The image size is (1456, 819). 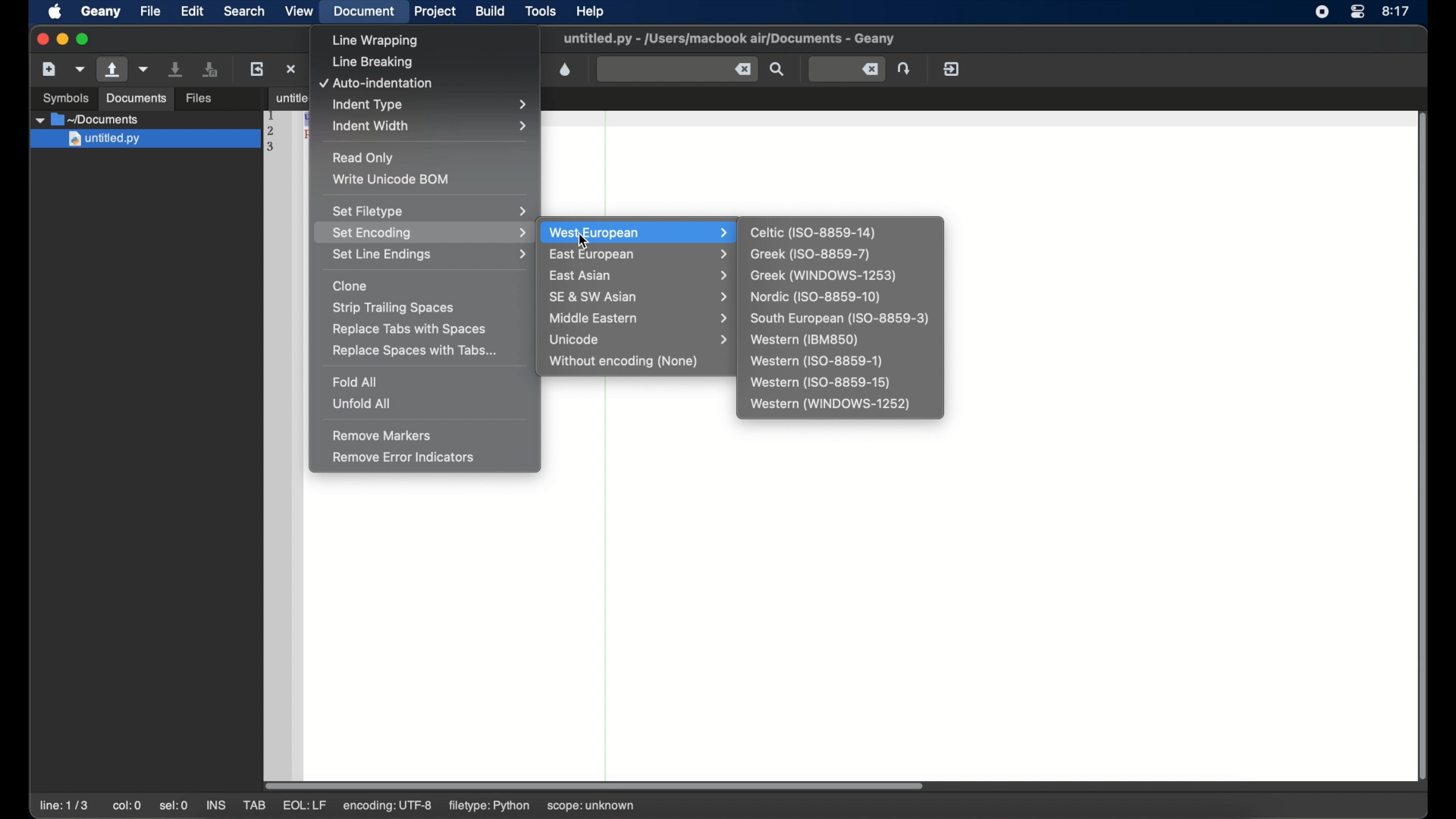 What do you see at coordinates (366, 12) in the screenshot?
I see `document` at bounding box center [366, 12].